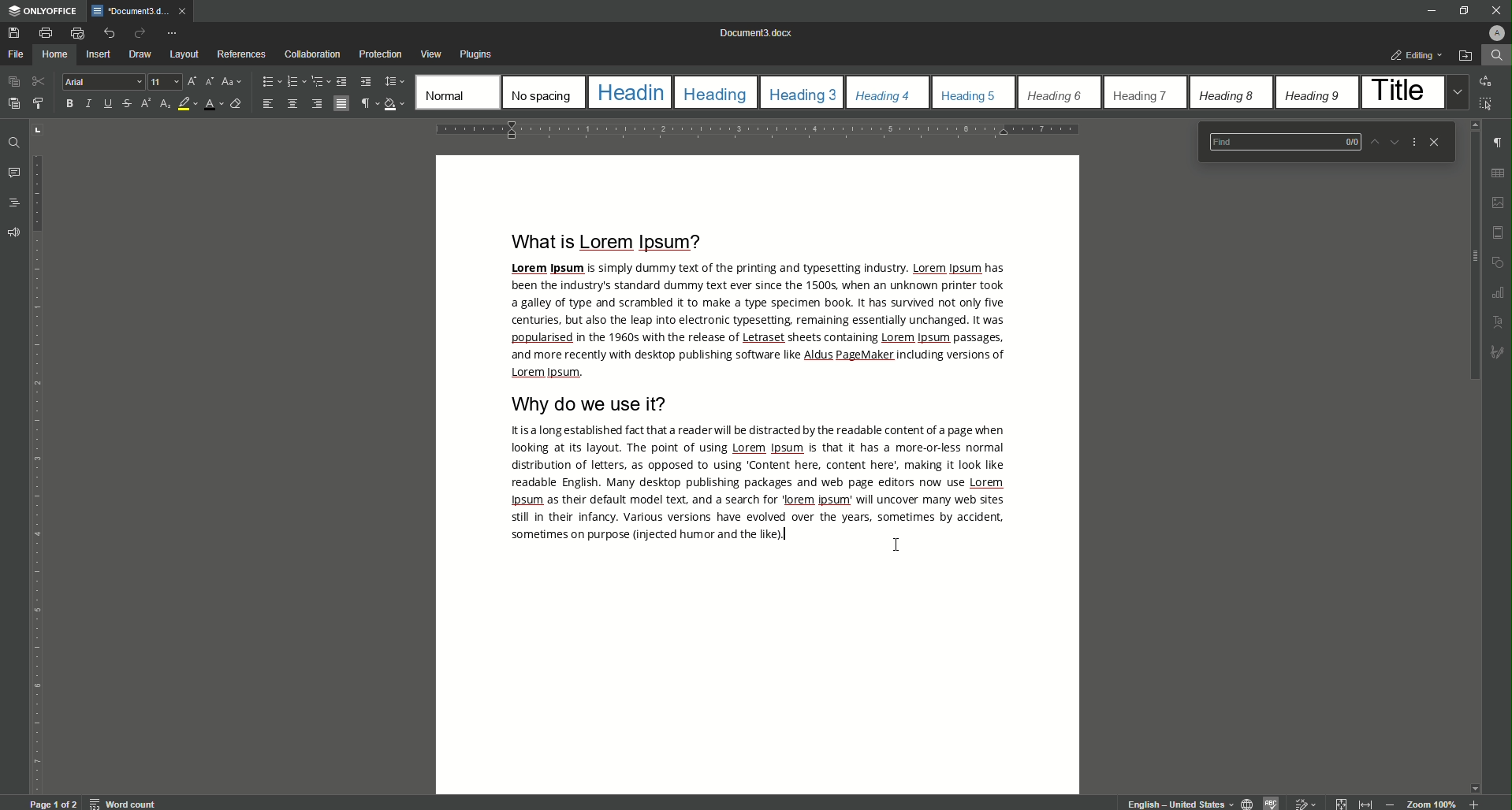 This screenshot has width=1512, height=810. What do you see at coordinates (367, 105) in the screenshot?
I see `Non-printing Characters` at bounding box center [367, 105].